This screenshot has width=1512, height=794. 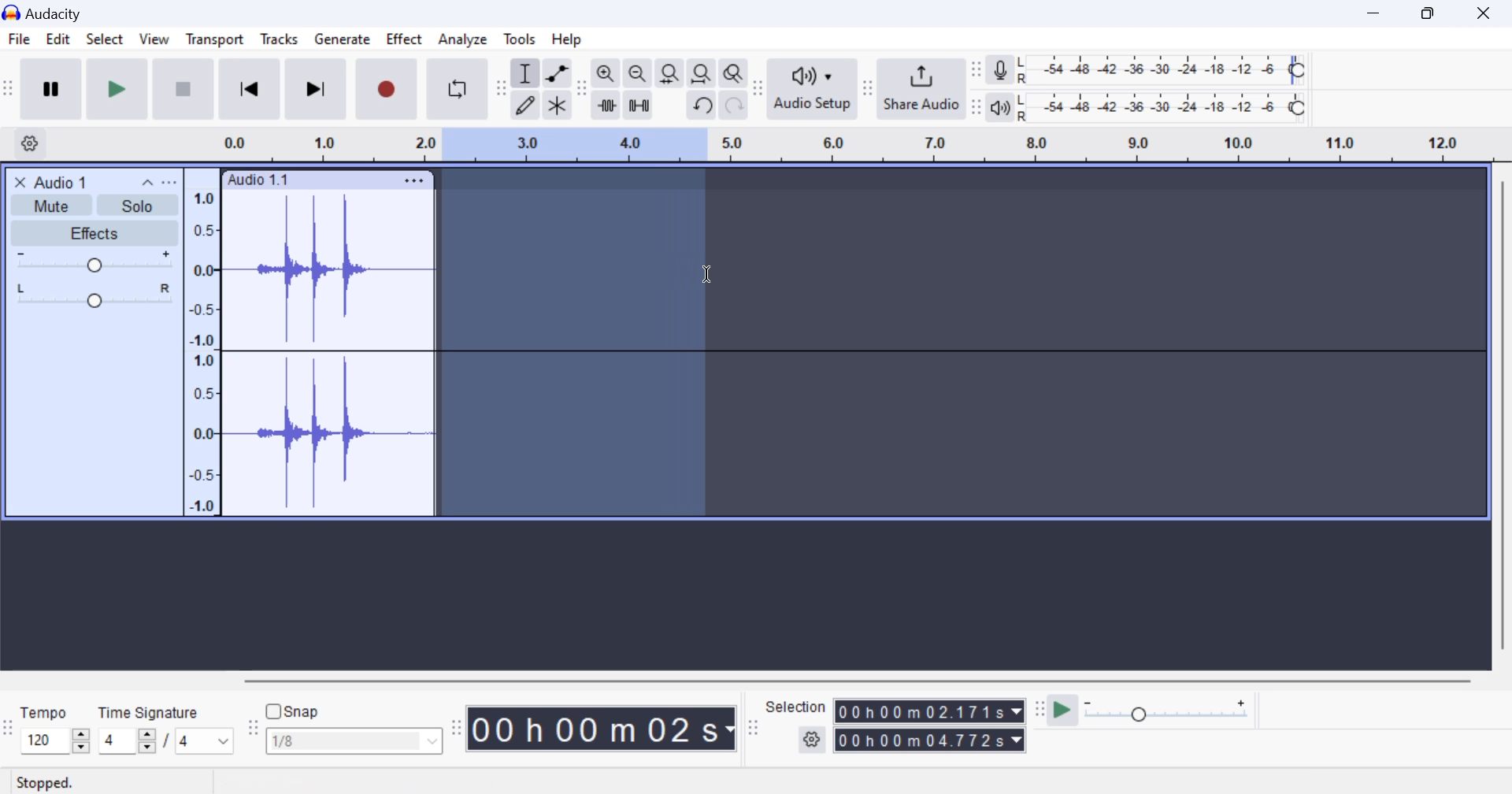 I want to click on Restore Down, so click(x=1376, y=13).